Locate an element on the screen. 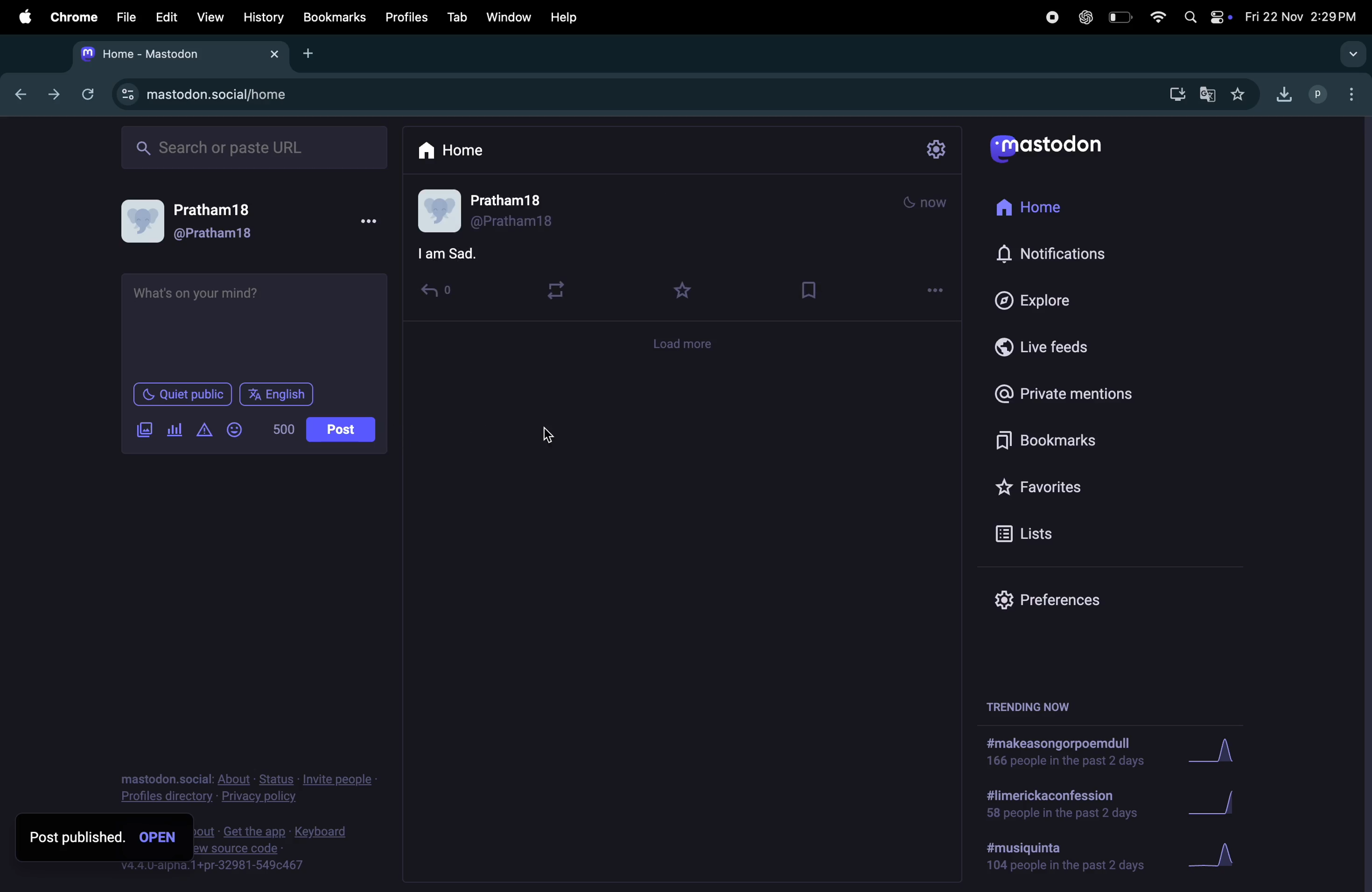  preferences is located at coordinates (1055, 600).